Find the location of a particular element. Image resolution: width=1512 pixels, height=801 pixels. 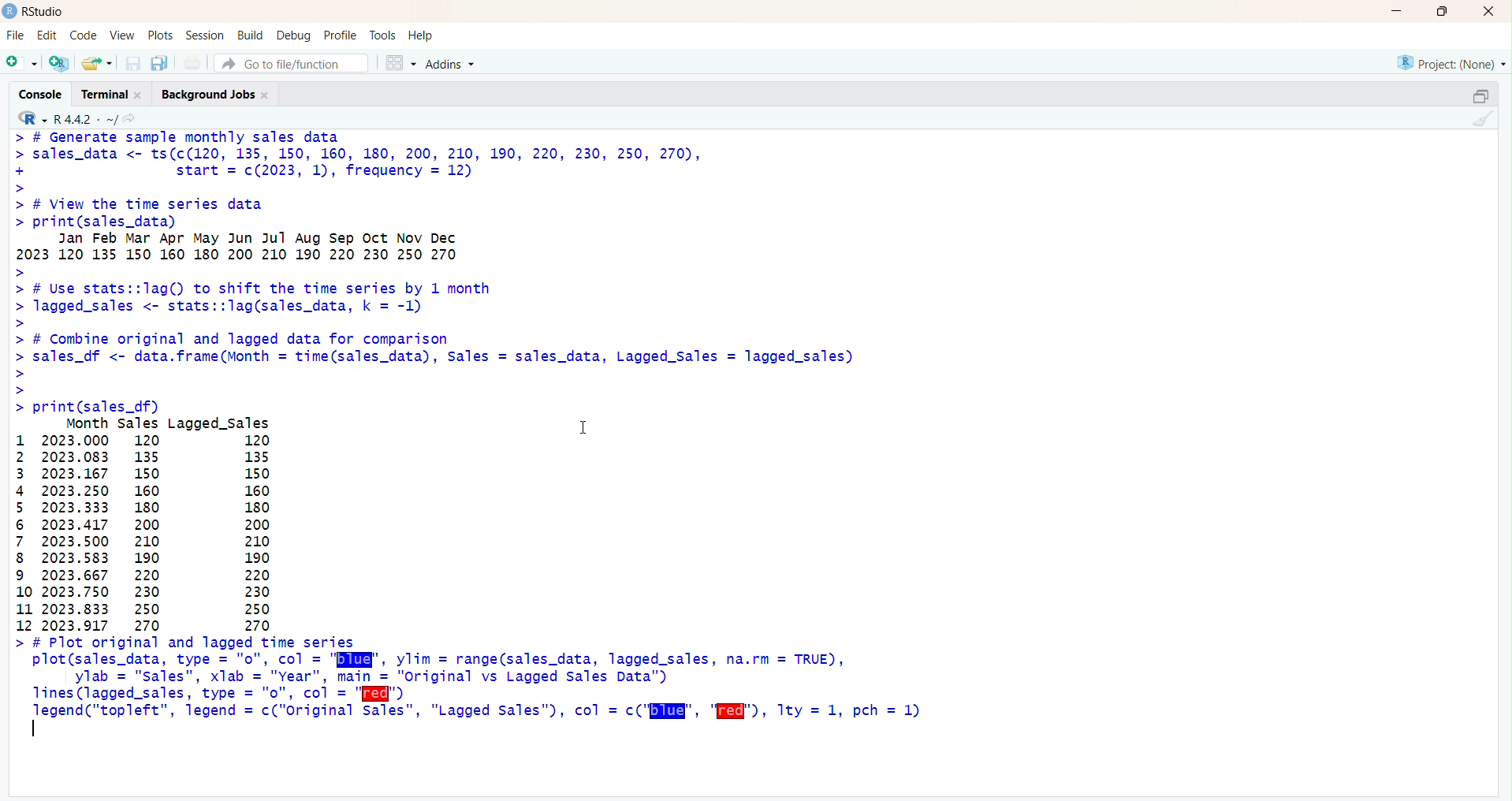

Rstudio is located at coordinates (35, 12).